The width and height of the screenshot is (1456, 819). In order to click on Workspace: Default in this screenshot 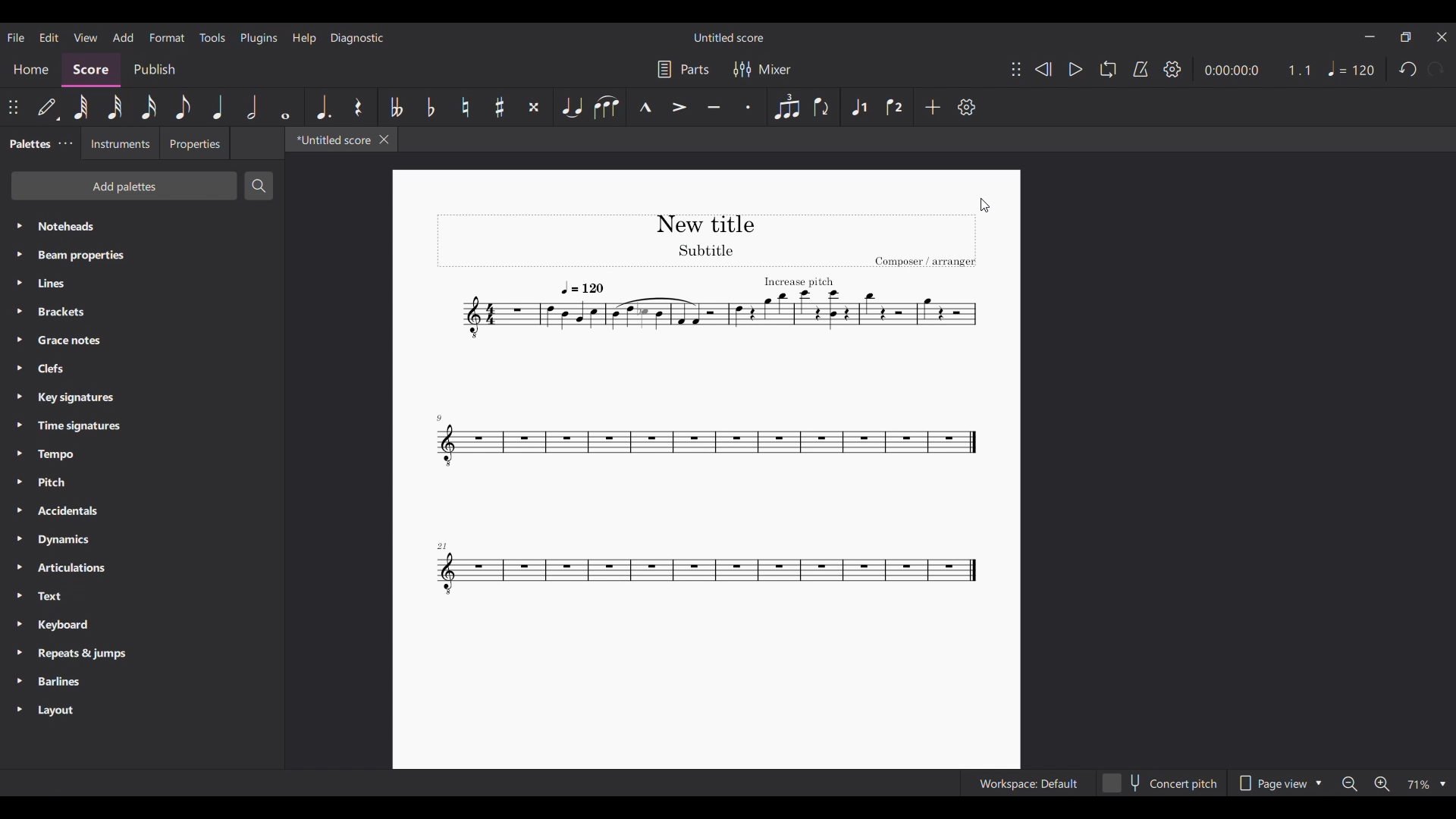, I will do `click(1028, 783)`.